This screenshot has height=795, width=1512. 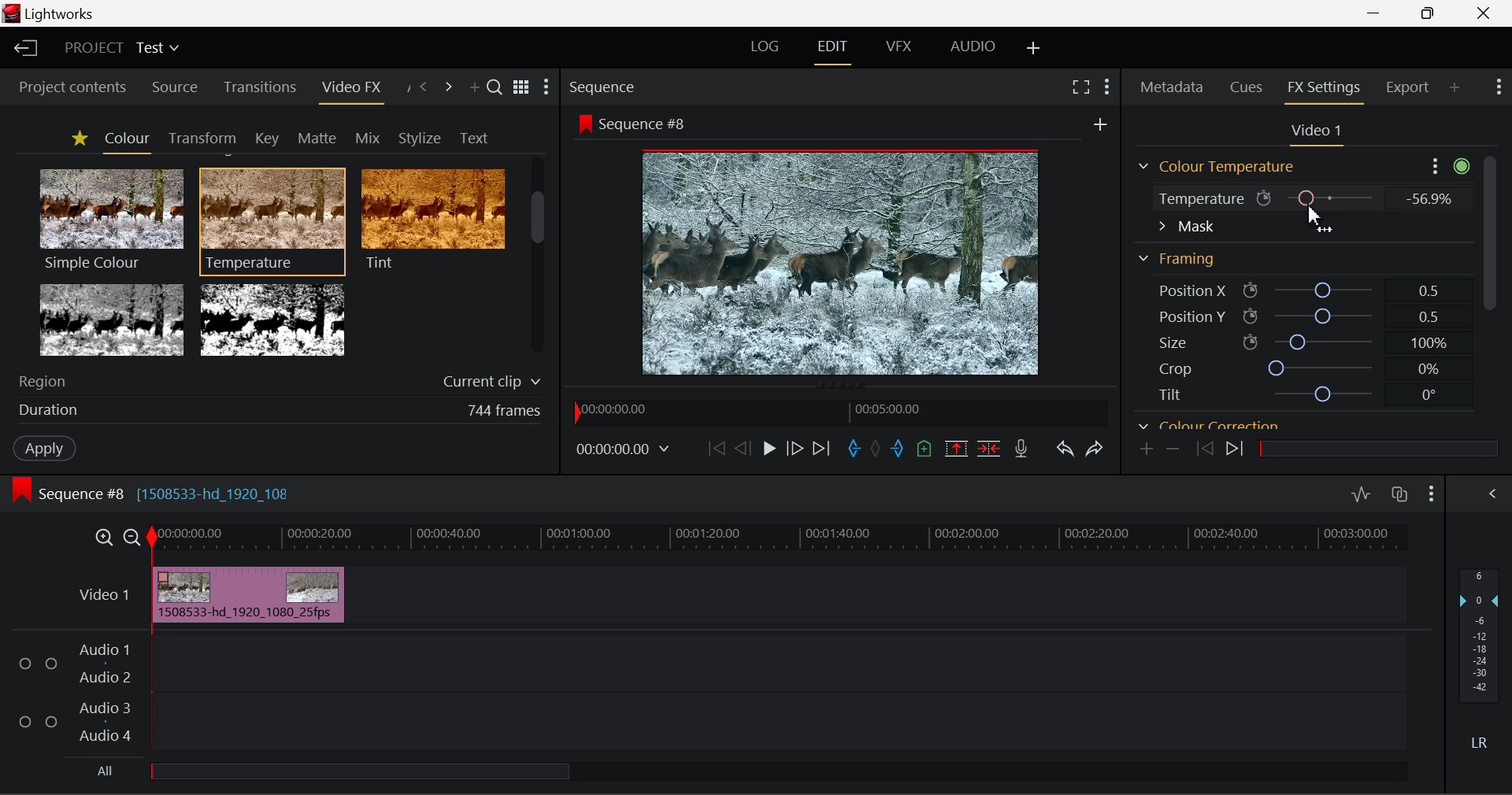 I want to click on EDIT Layout, so click(x=832, y=51).